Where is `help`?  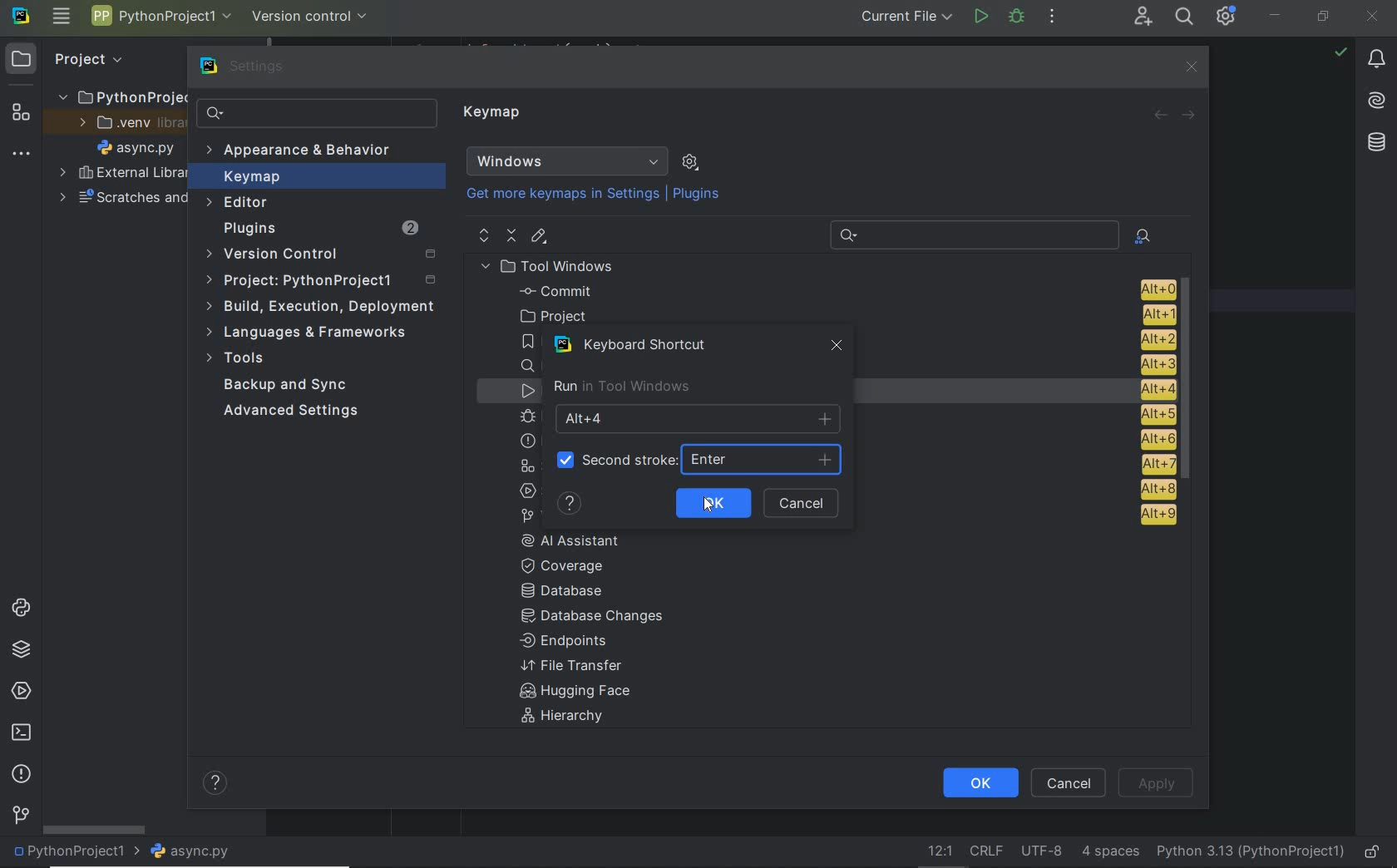
help is located at coordinates (570, 504).